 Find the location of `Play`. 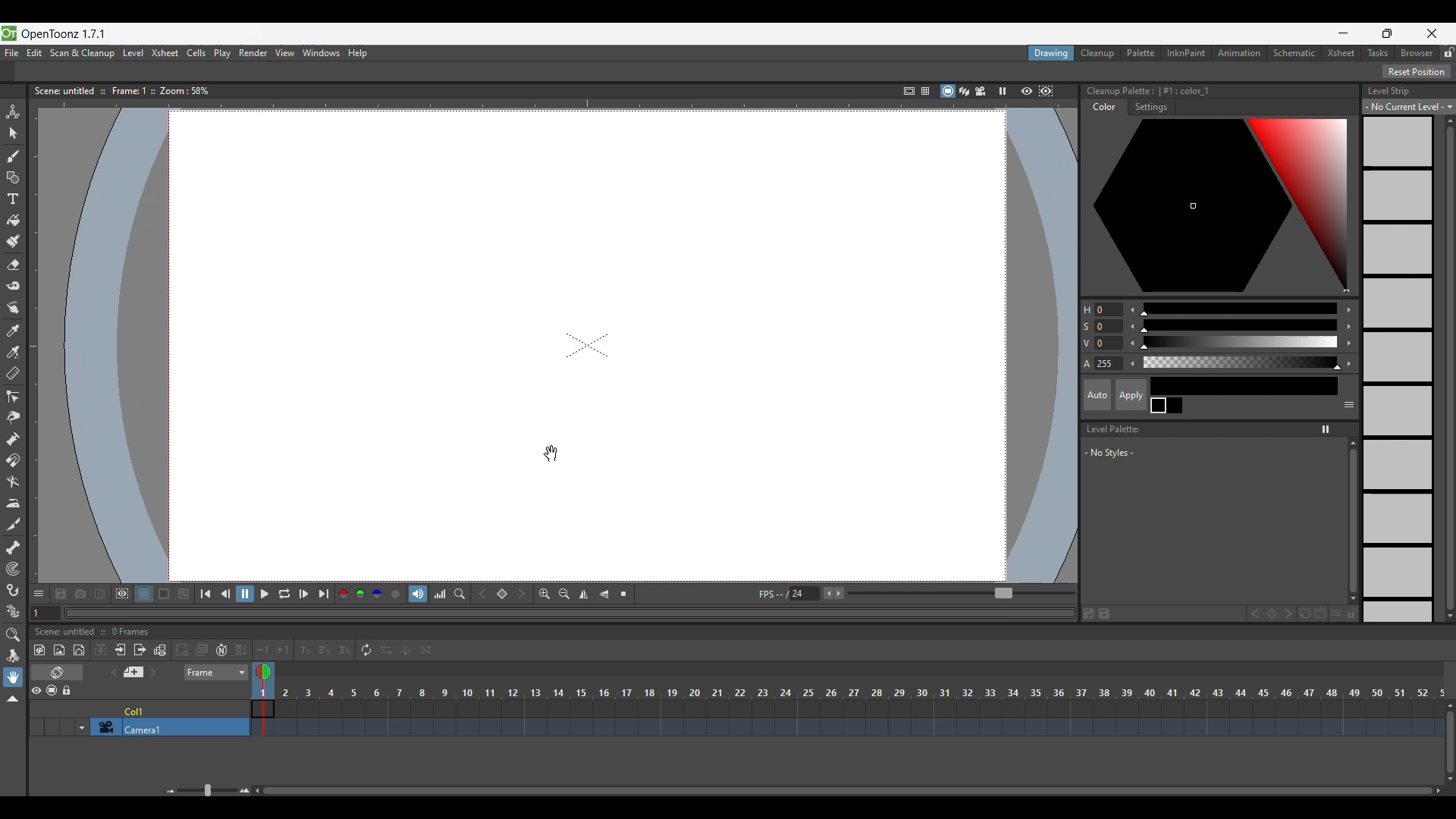

Play is located at coordinates (264, 593).